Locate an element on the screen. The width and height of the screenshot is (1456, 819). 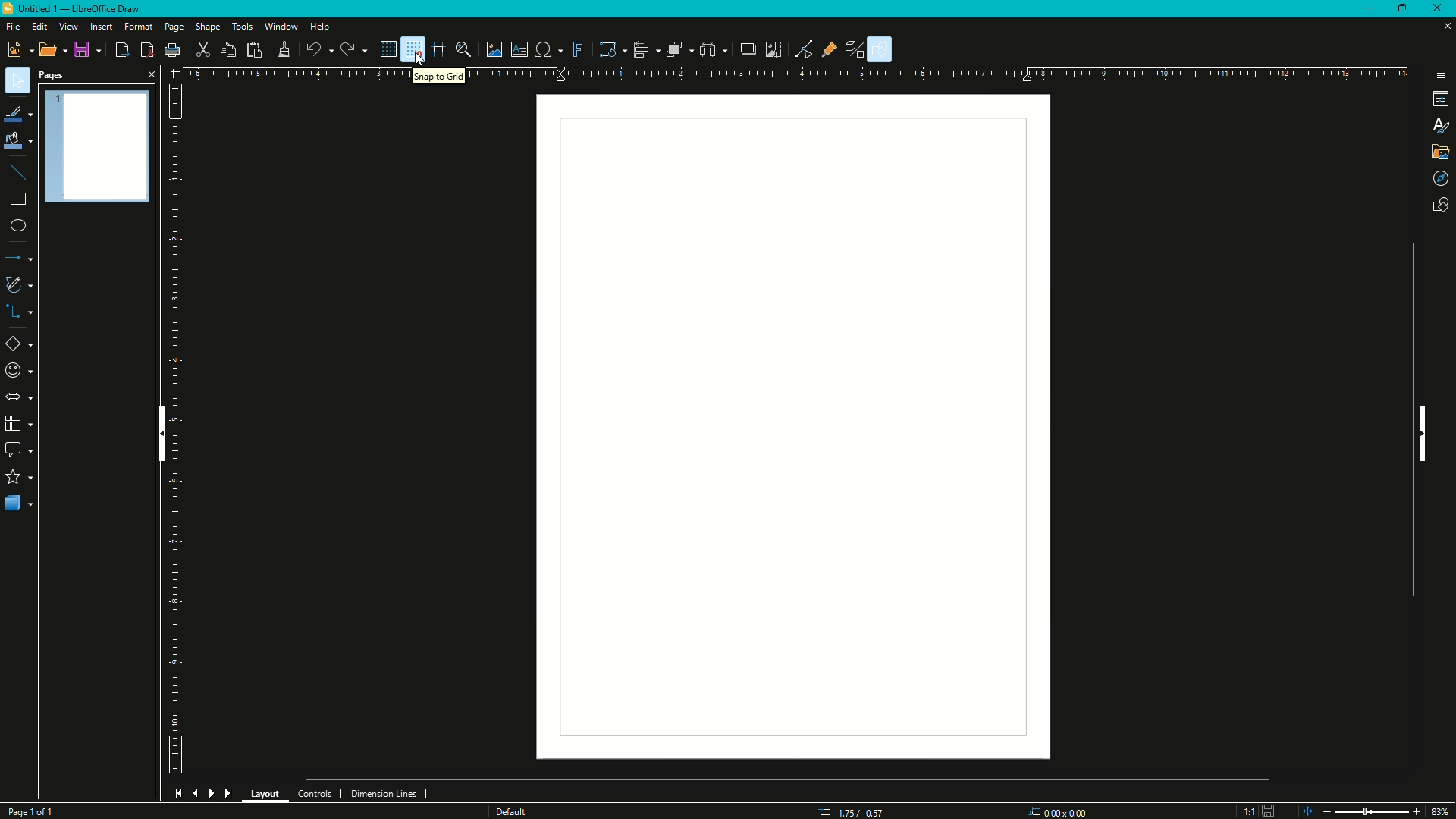
Arrange is located at coordinates (676, 52).